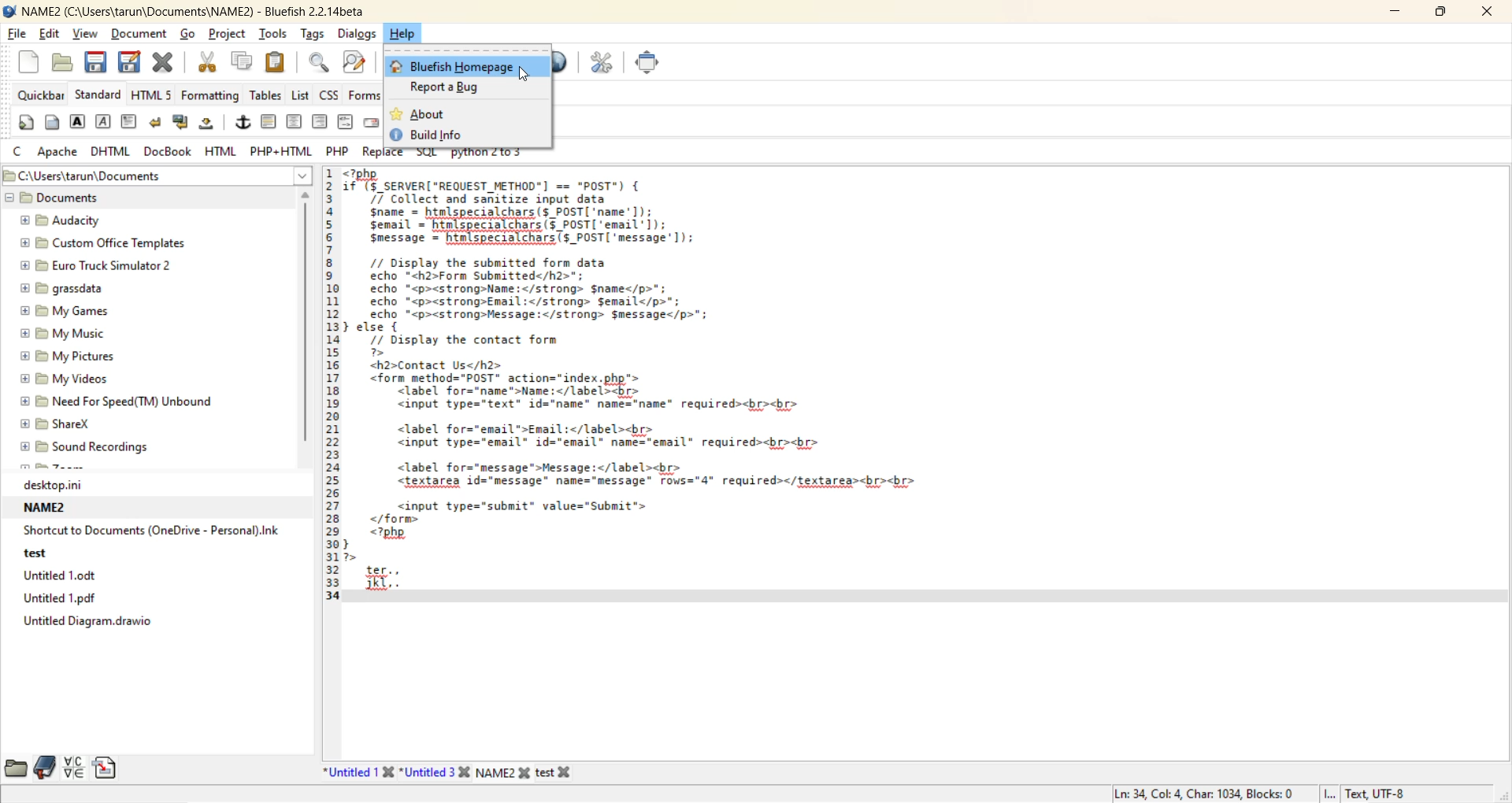  What do you see at coordinates (195, 11) in the screenshot?
I see `file name and app name` at bounding box center [195, 11].